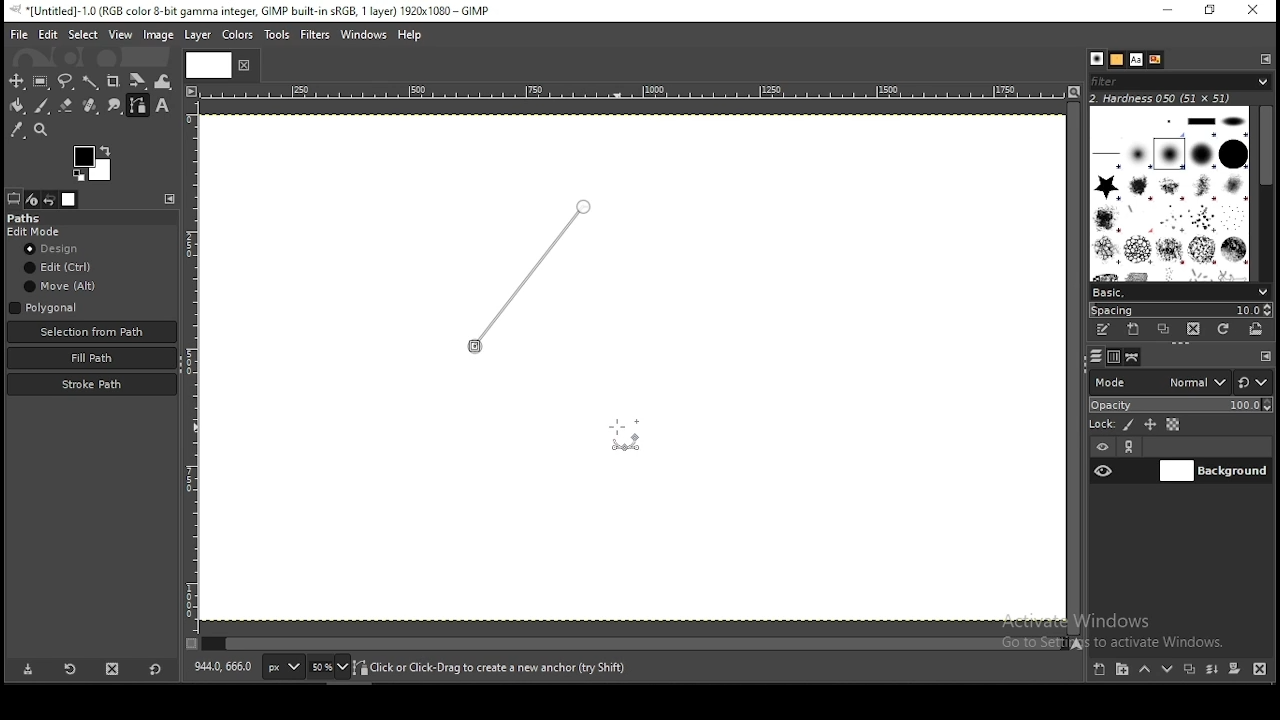 The image size is (1280, 720). I want to click on design, so click(56, 248).